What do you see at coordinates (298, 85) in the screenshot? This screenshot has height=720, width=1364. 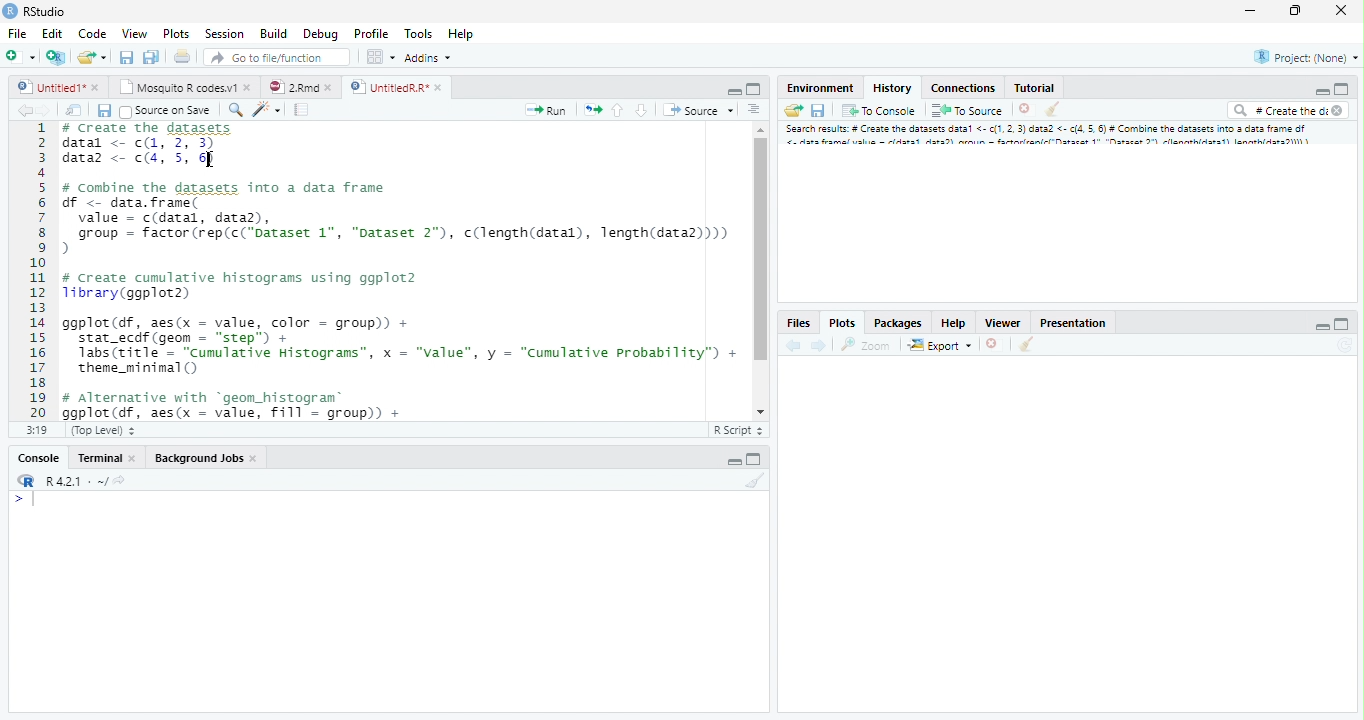 I see `2.Rmd` at bounding box center [298, 85].